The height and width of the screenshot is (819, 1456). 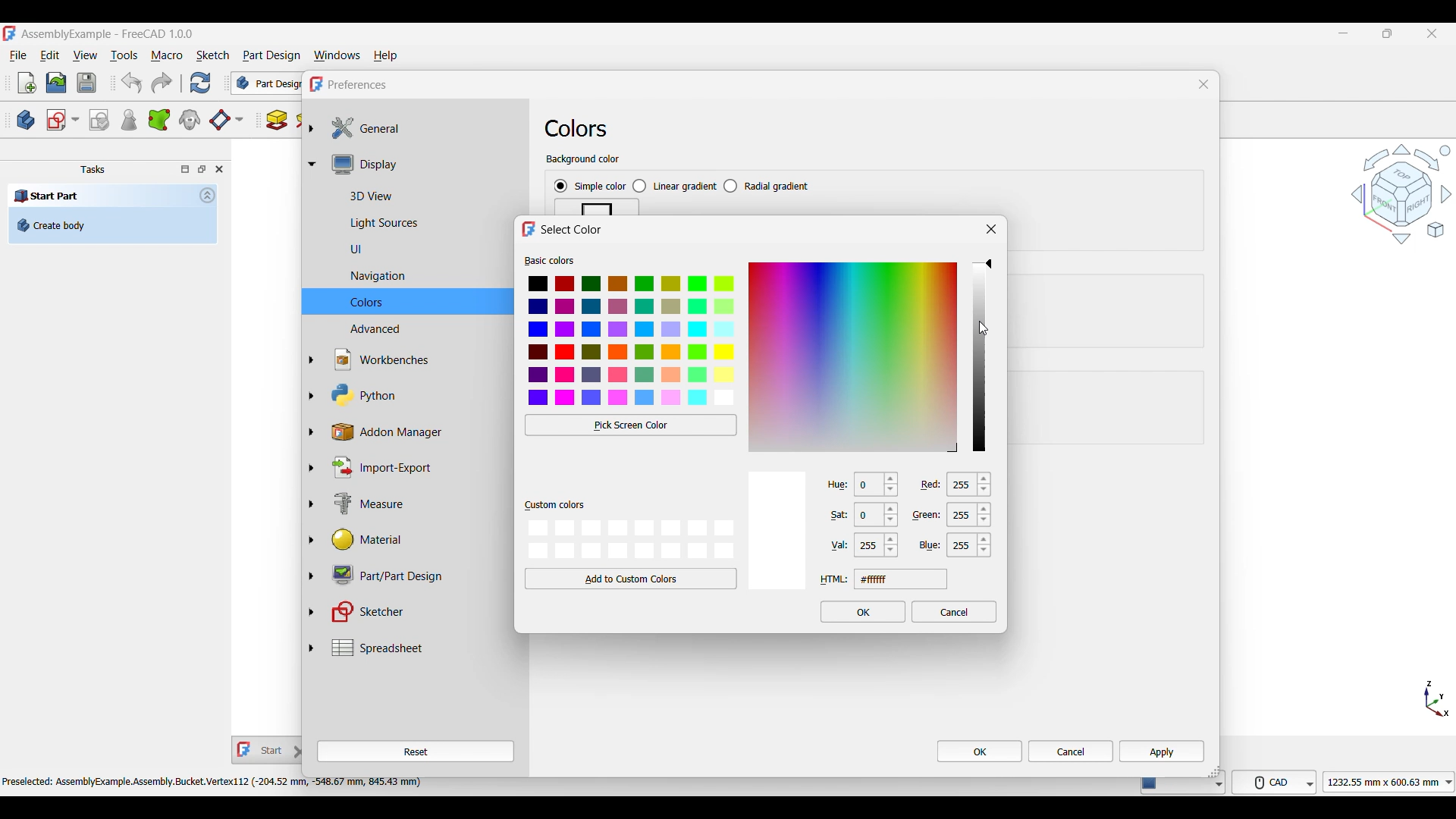 I want to click on 255, so click(x=975, y=485).